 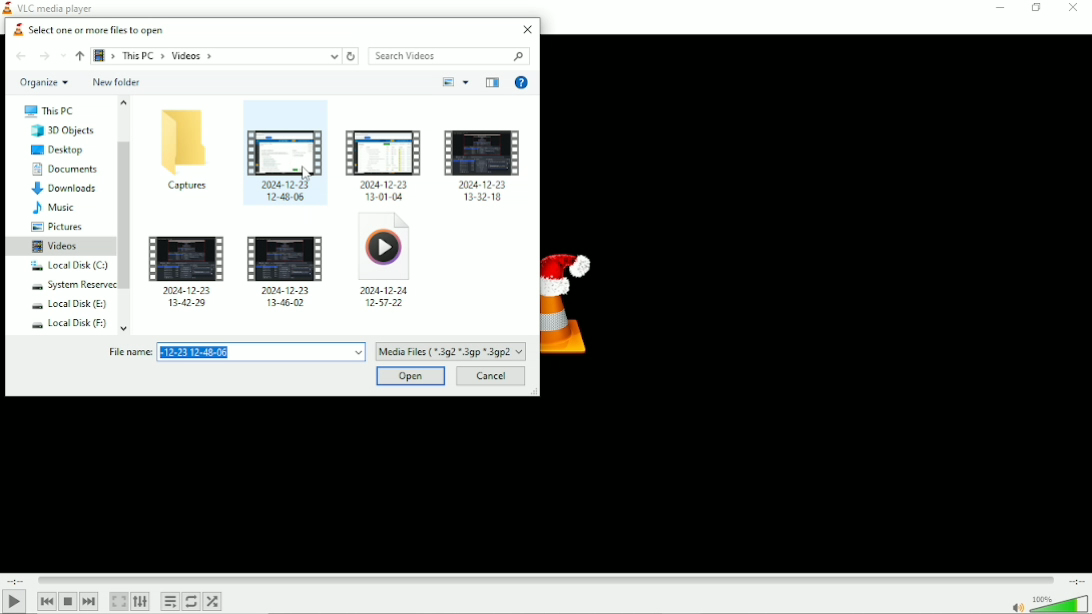 I want to click on Toggle the video in fullscreen, so click(x=118, y=601).